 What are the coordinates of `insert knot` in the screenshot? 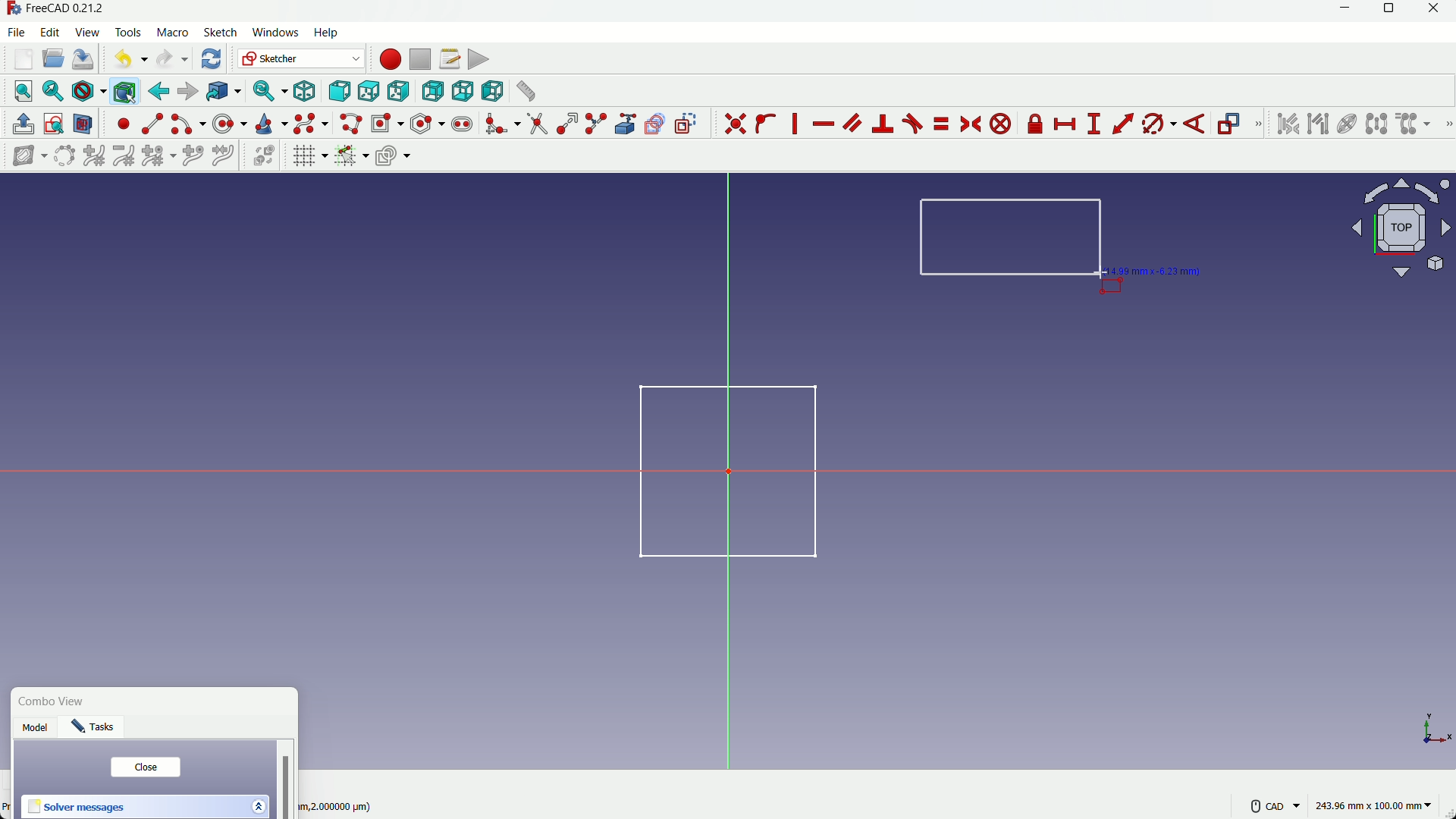 It's located at (193, 154).